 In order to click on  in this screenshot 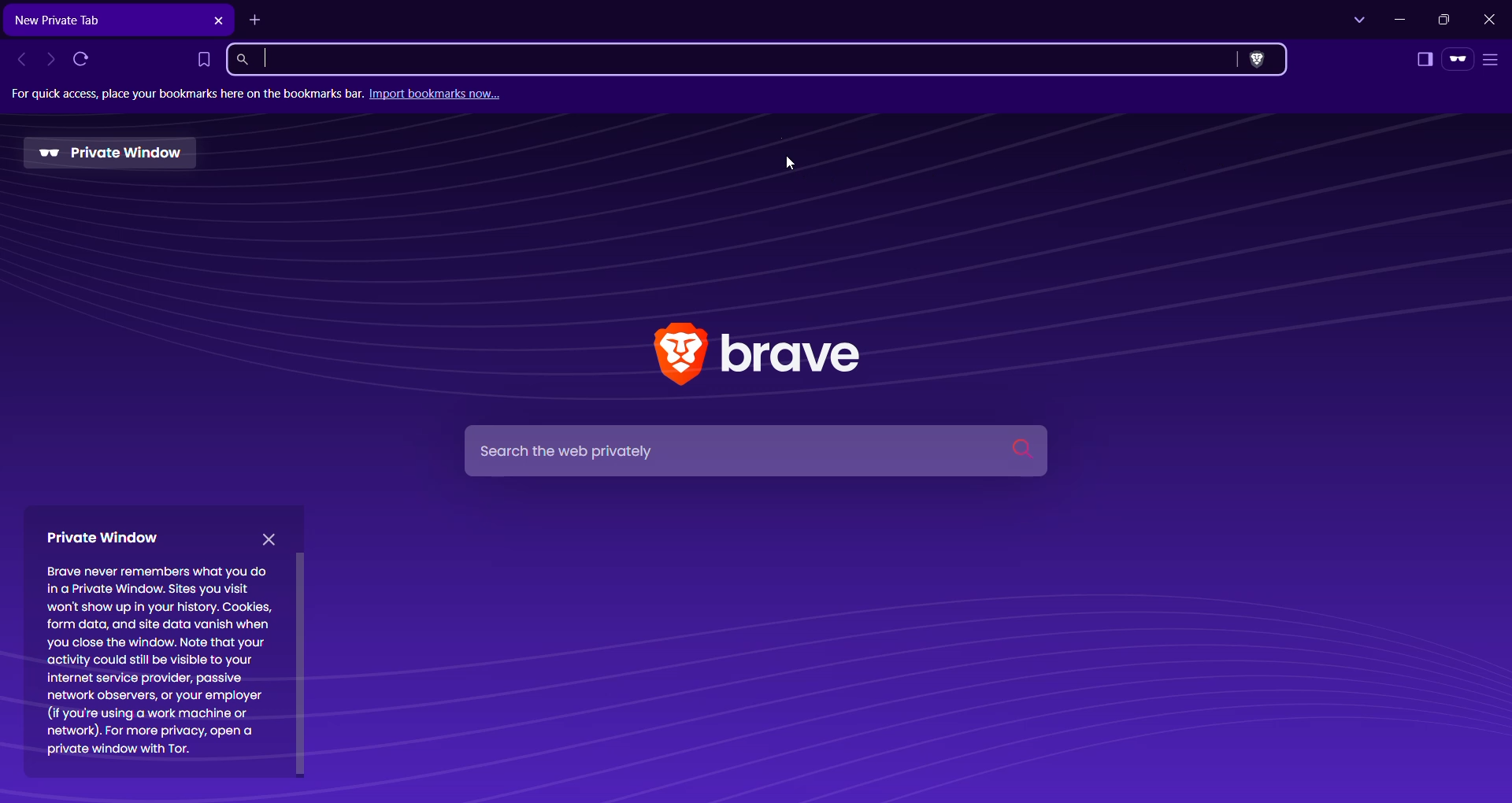, I will do `click(76, 20)`.